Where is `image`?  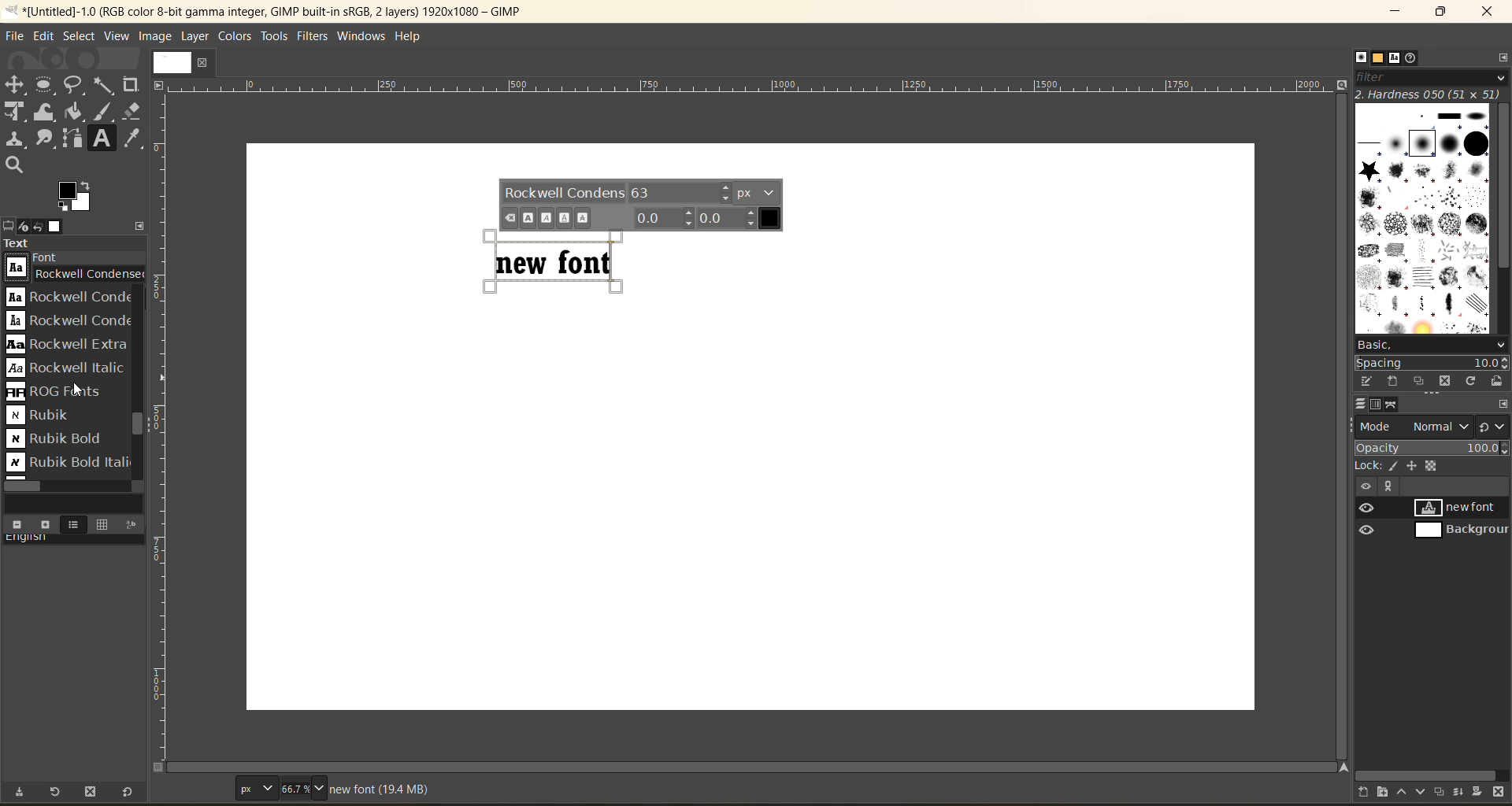
image is located at coordinates (157, 36).